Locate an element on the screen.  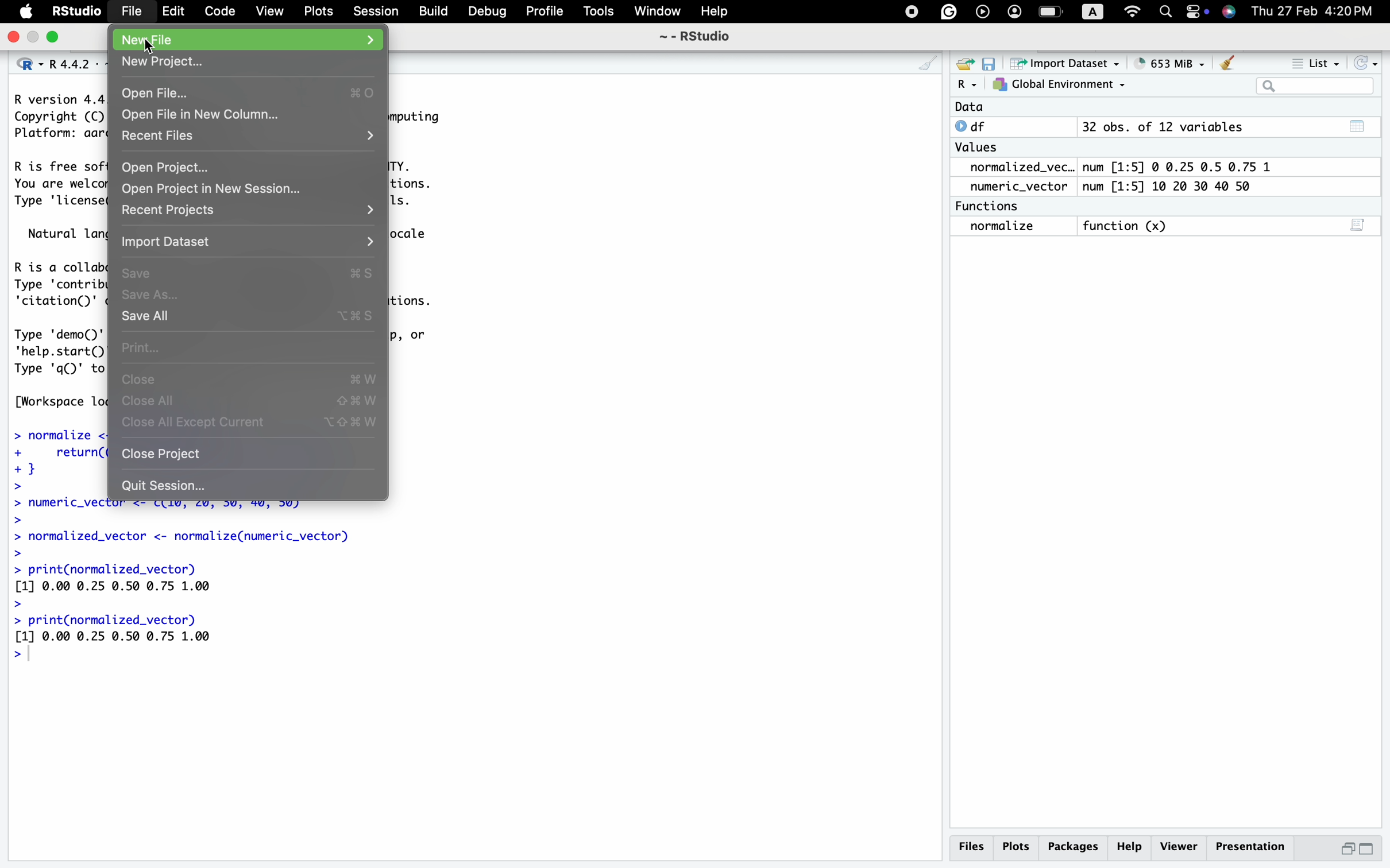
Import Dataset is located at coordinates (173, 245).